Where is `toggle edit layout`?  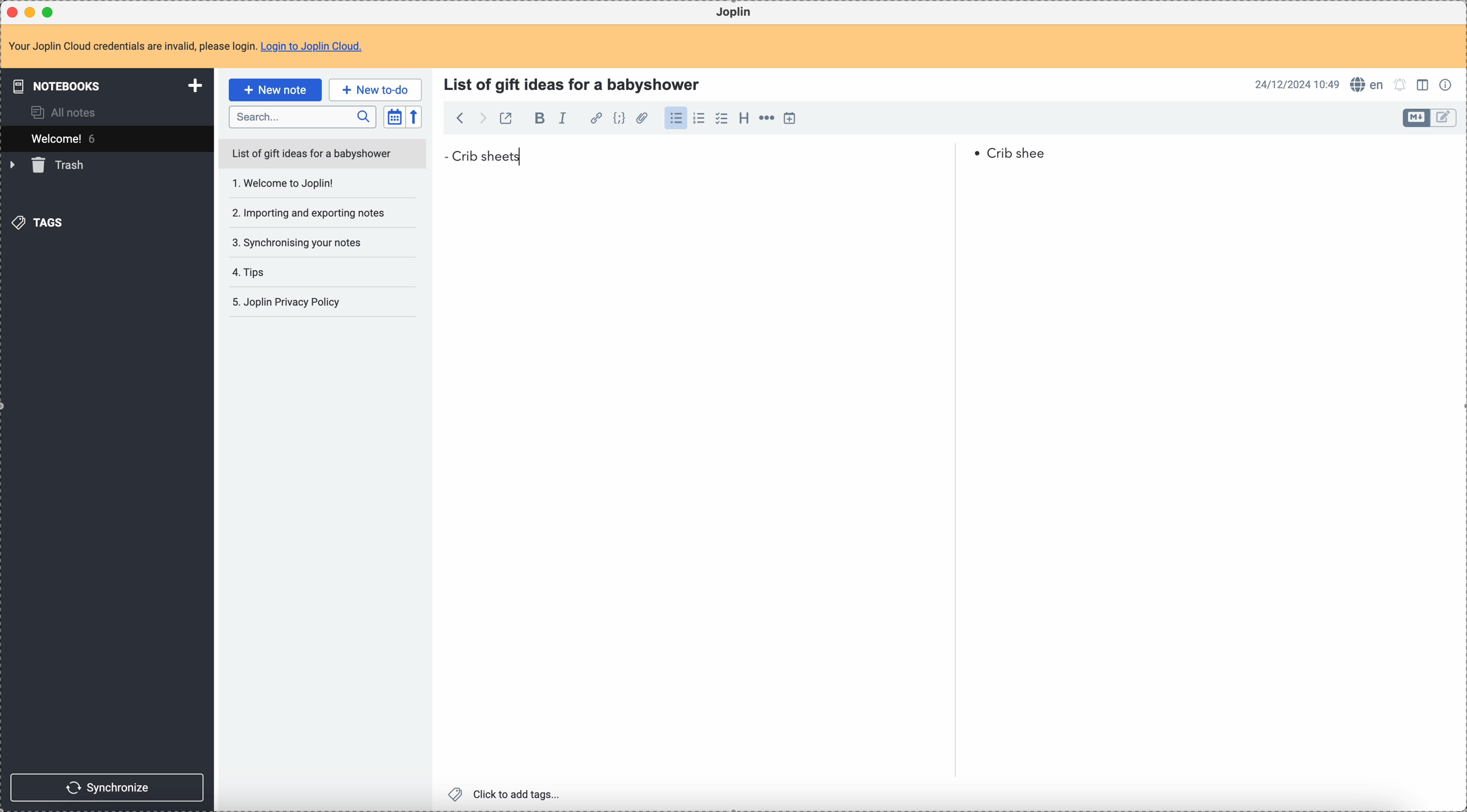
toggle edit layout is located at coordinates (1416, 118).